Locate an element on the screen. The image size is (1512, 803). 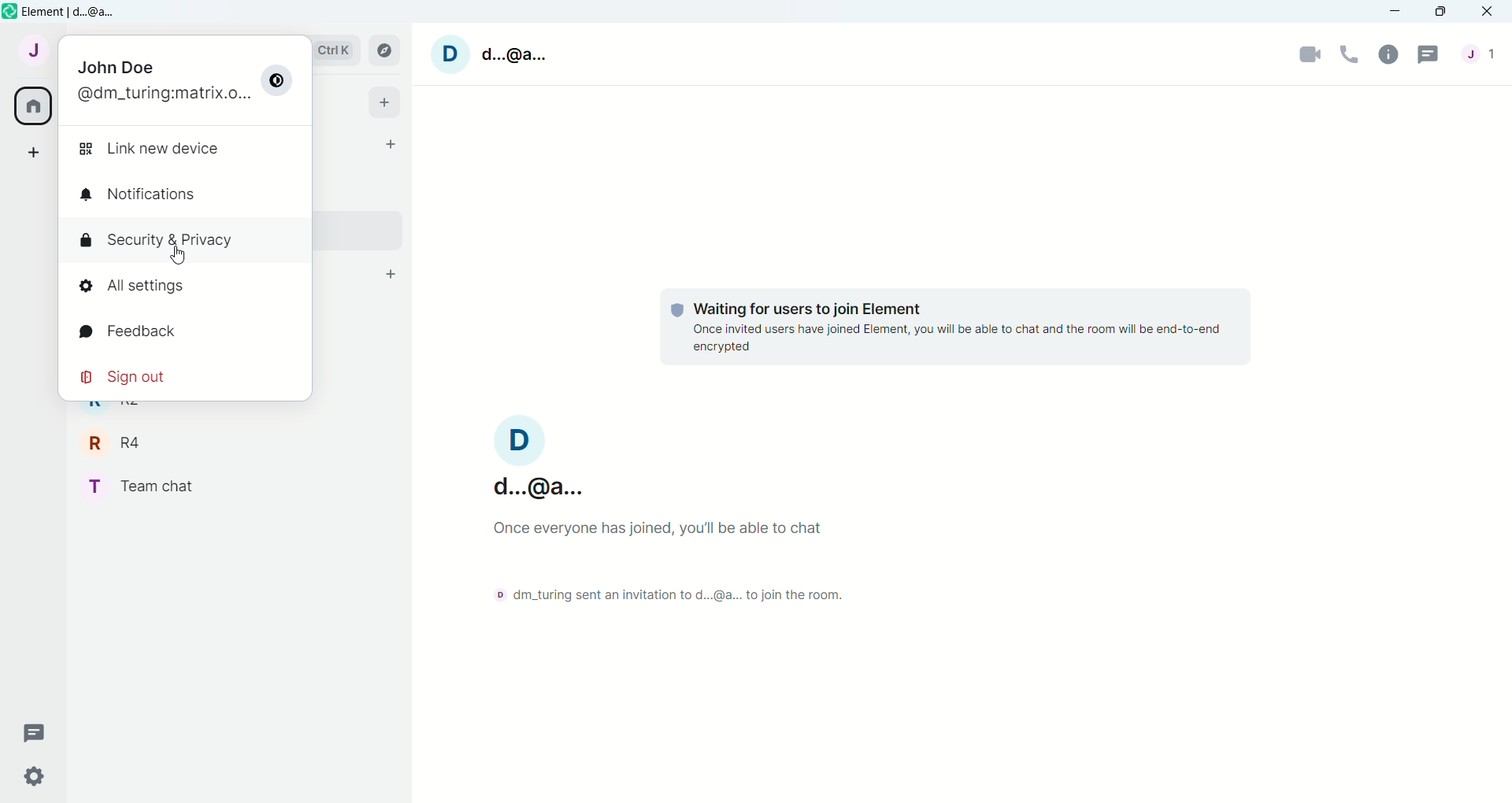
Quick settings is located at coordinates (35, 776).